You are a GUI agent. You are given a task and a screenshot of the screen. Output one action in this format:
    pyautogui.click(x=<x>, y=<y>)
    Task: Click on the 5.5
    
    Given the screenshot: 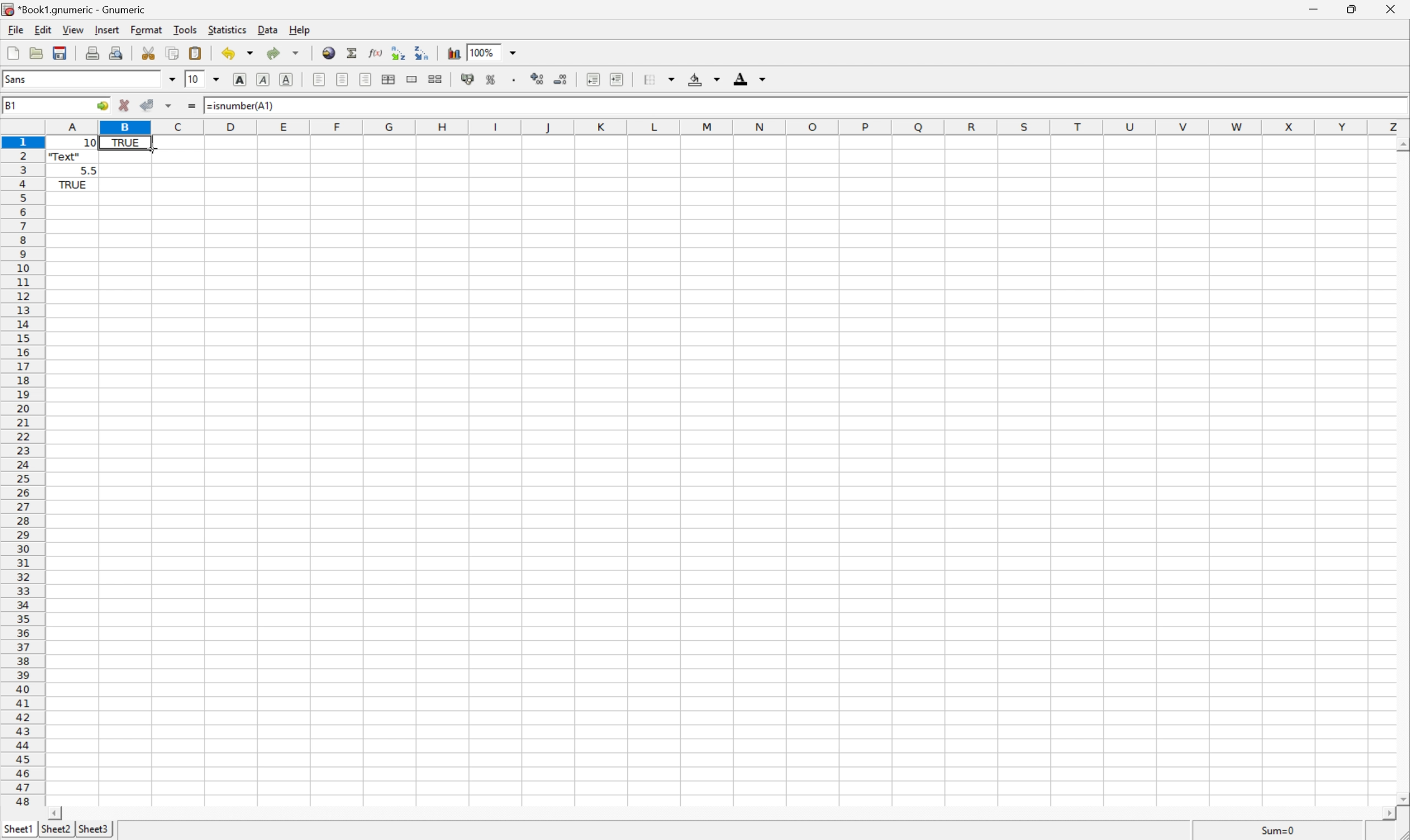 What is the action you would take?
    pyautogui.click(x=89, y=169)
    